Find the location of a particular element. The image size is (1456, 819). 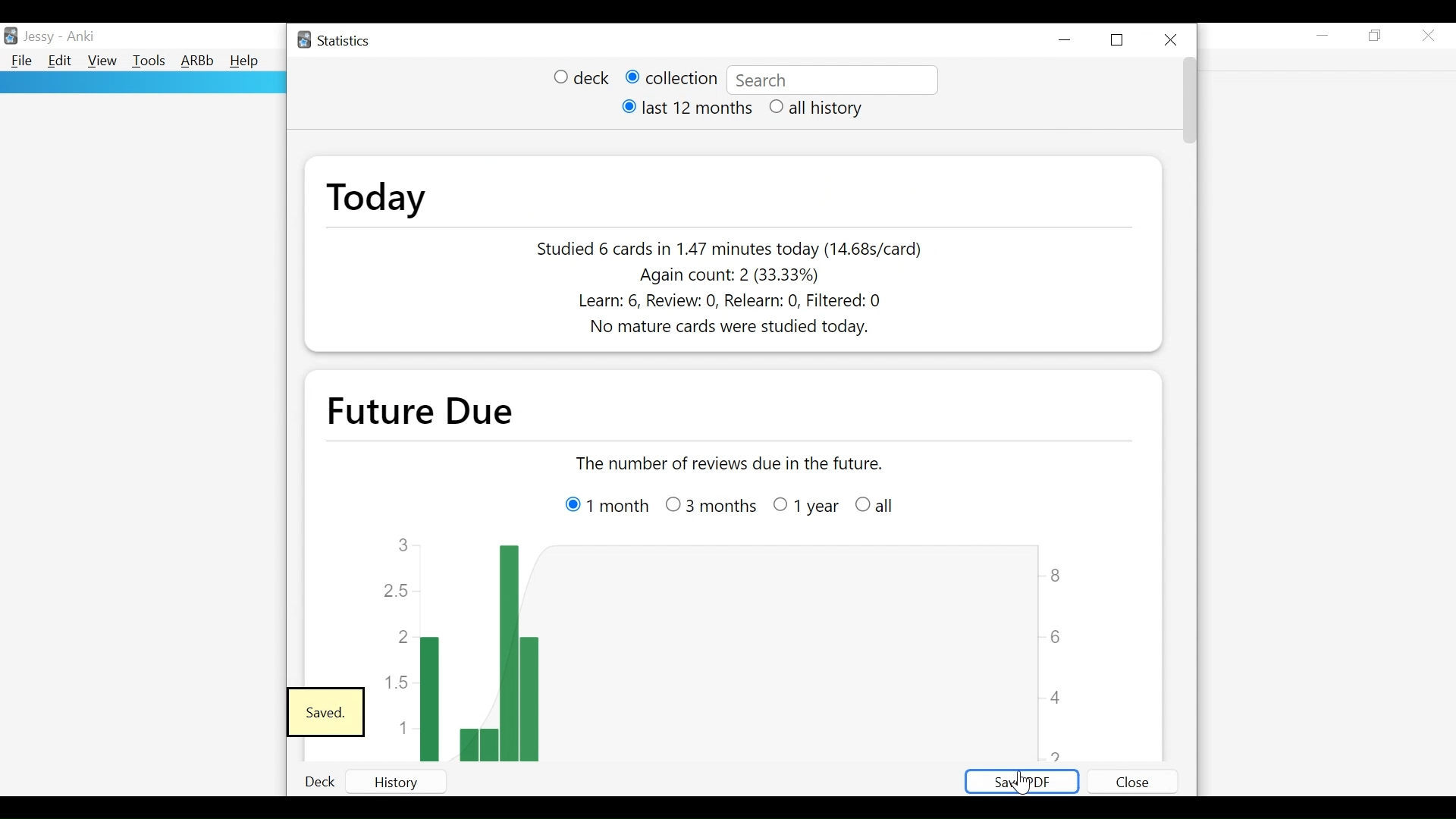

Again count is located at coordinates (732, 275).